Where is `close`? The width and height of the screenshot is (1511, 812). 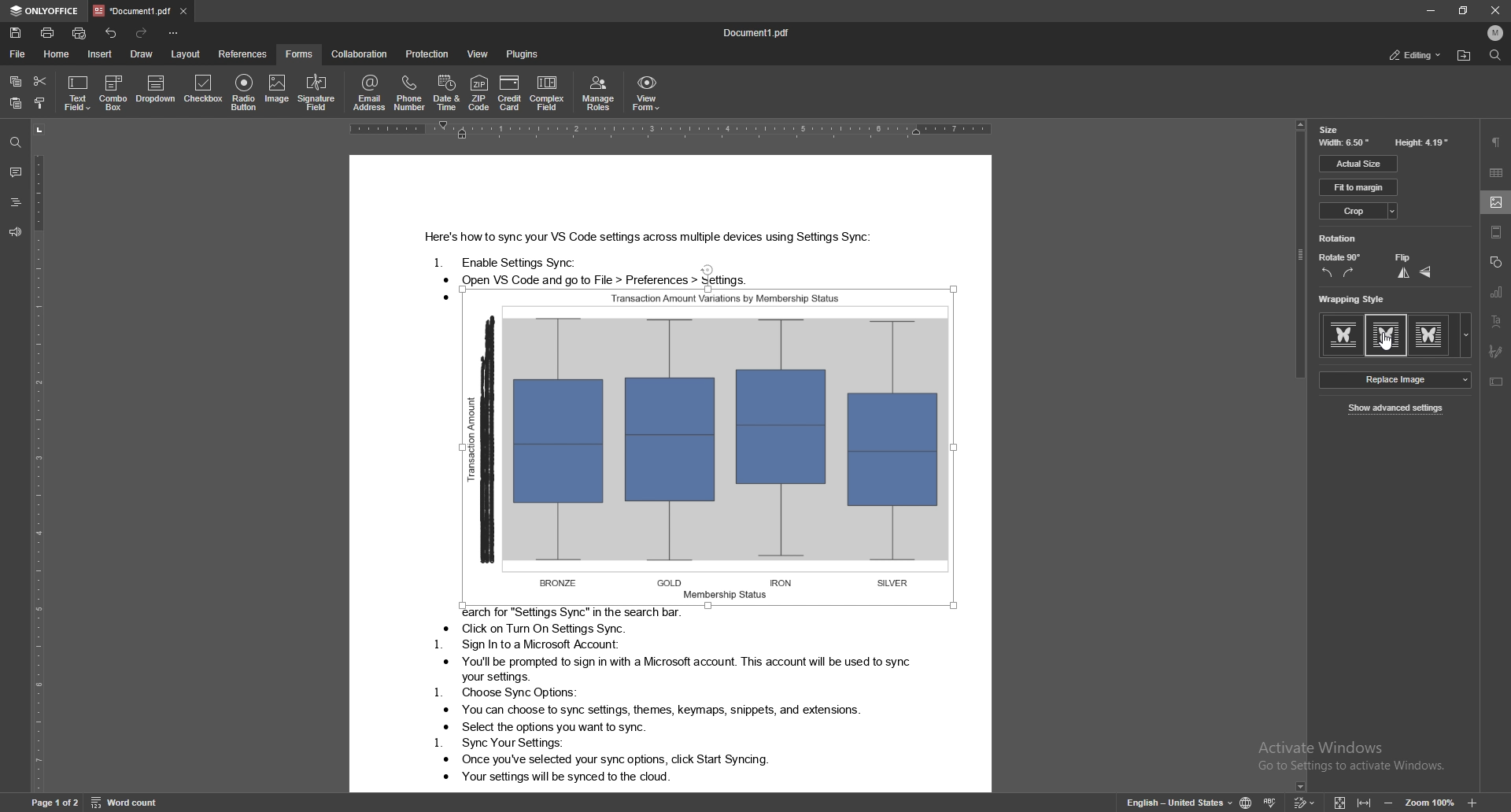
close is located at coordinates (1494, 10).